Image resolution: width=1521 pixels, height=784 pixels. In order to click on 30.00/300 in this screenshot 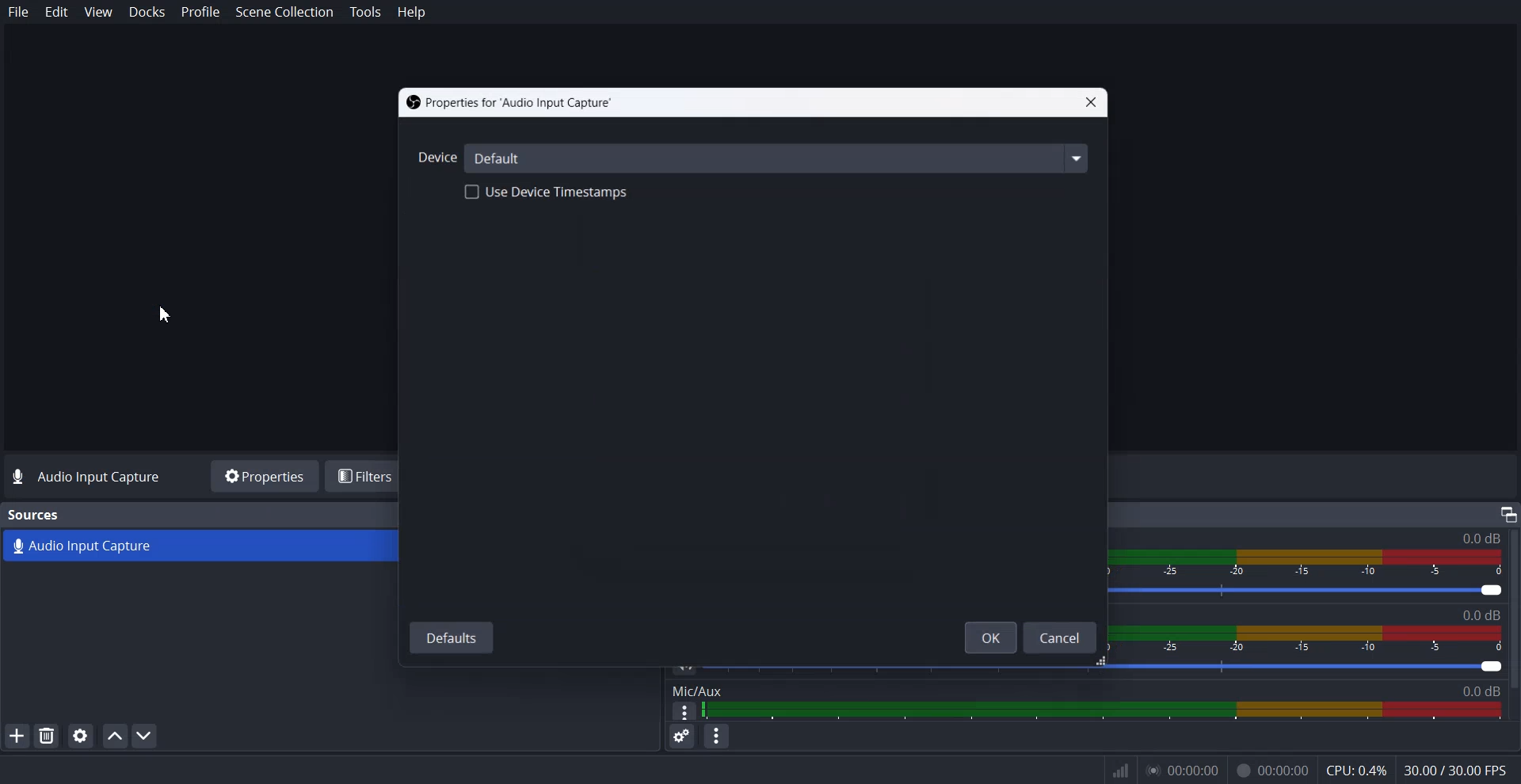, I will do `click(1461, 771)`.